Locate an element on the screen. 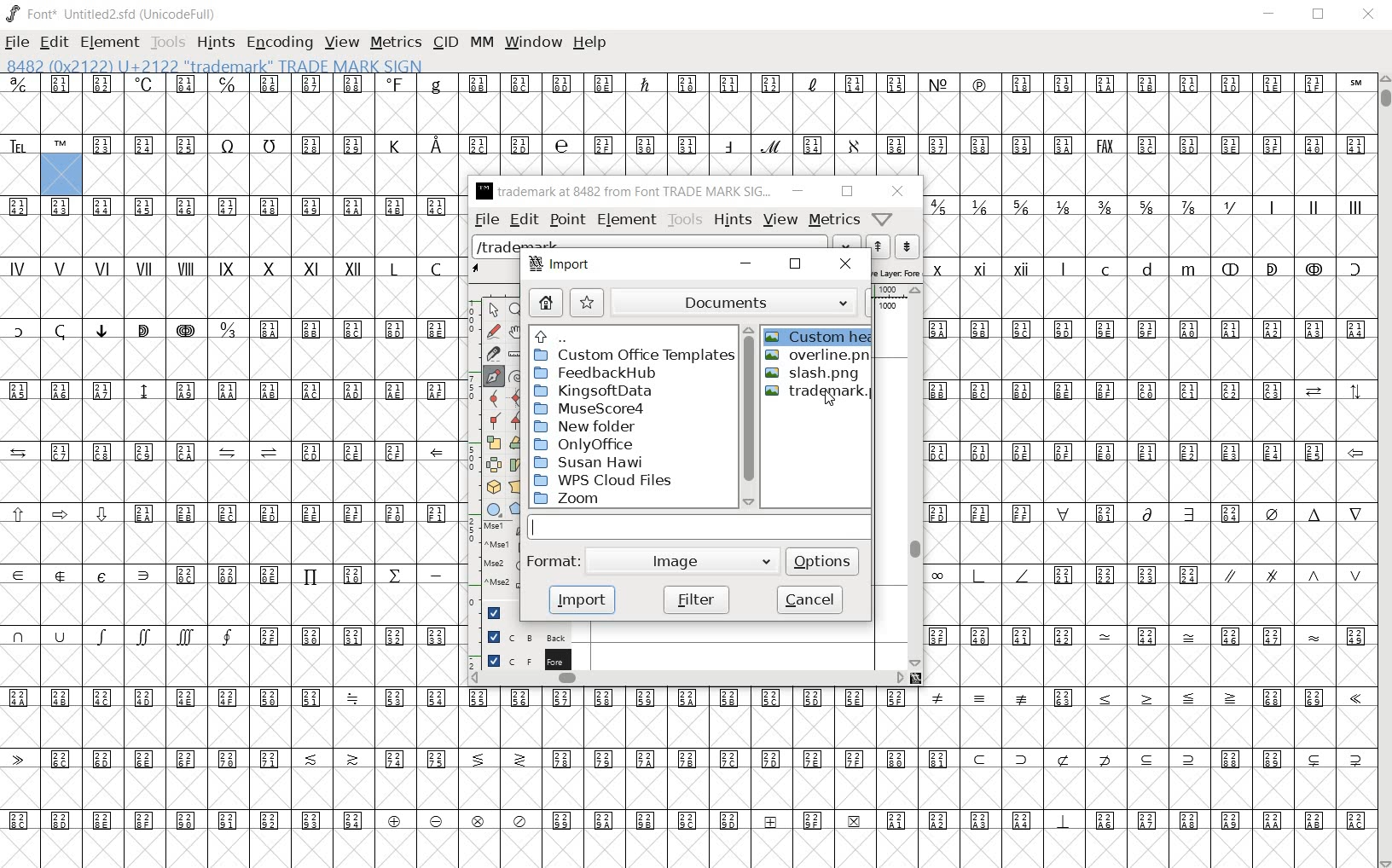 Image resolution: width=1392 pixels, height=868 pixels. EDIT is located at coordinates (54, 42).